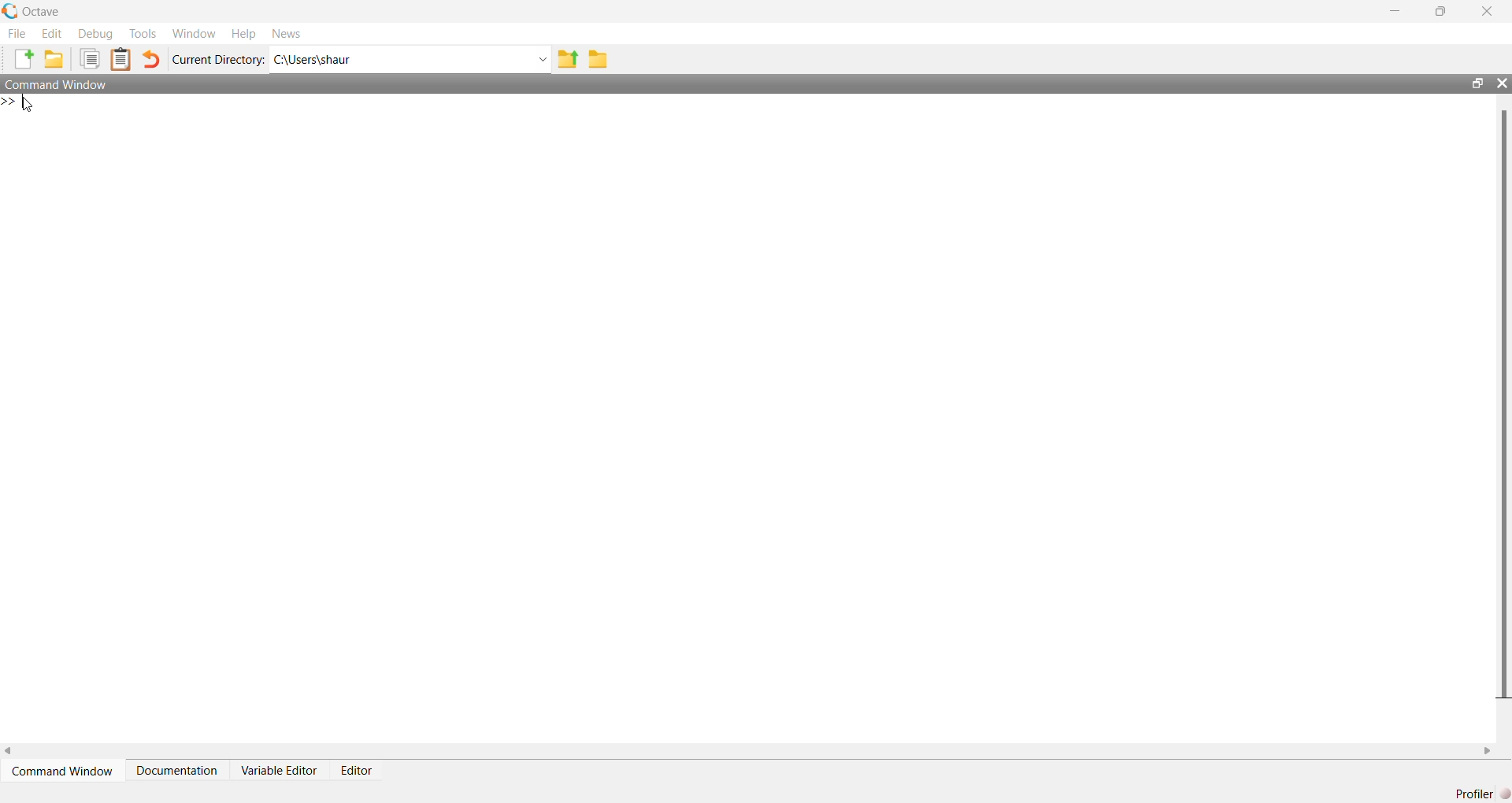  Describe the element at coordinates (18, 33) in the screenshot. I see `file` at that location.